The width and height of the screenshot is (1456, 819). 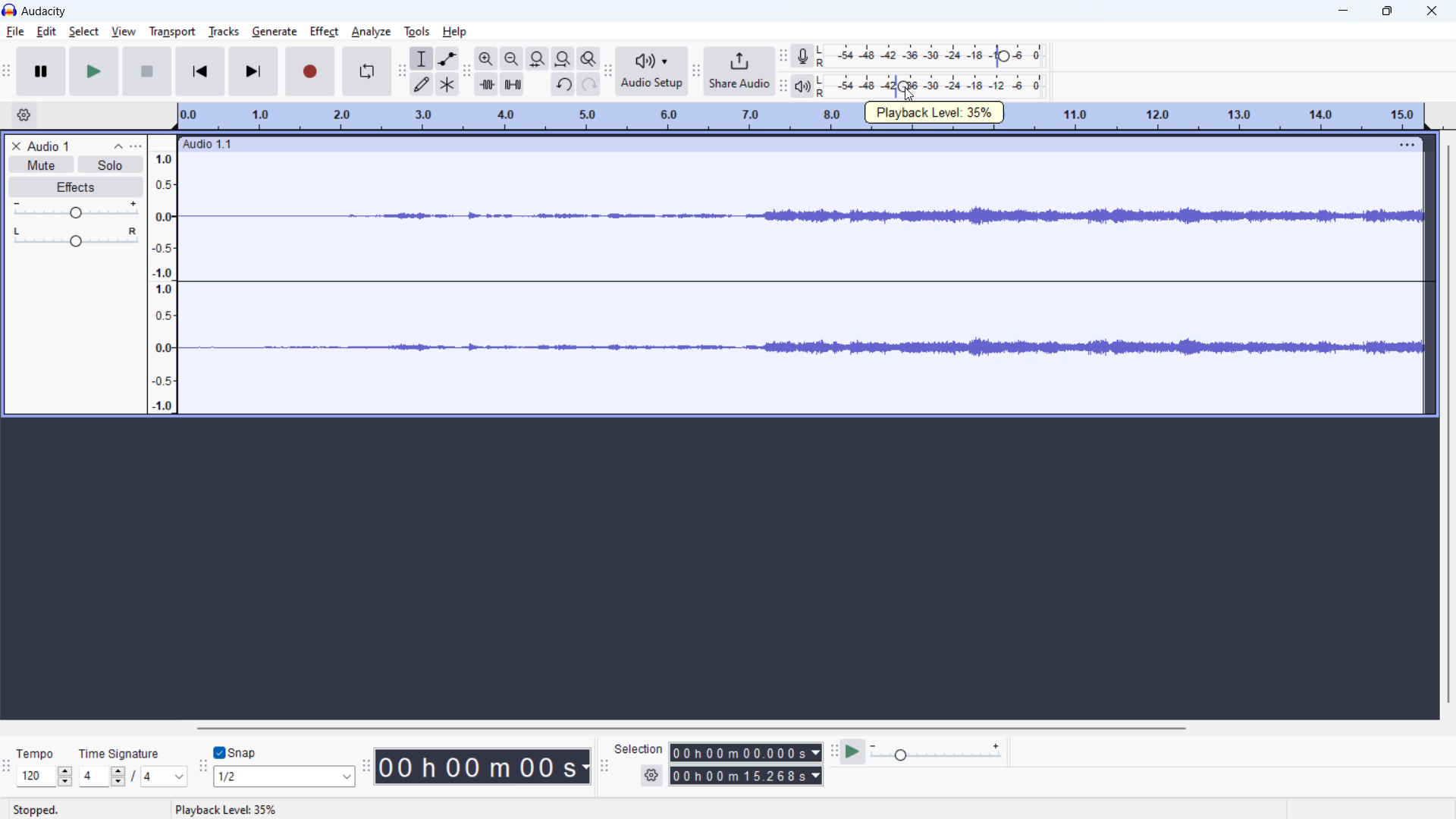 I want to click on selection, so click(x=638, y=748).